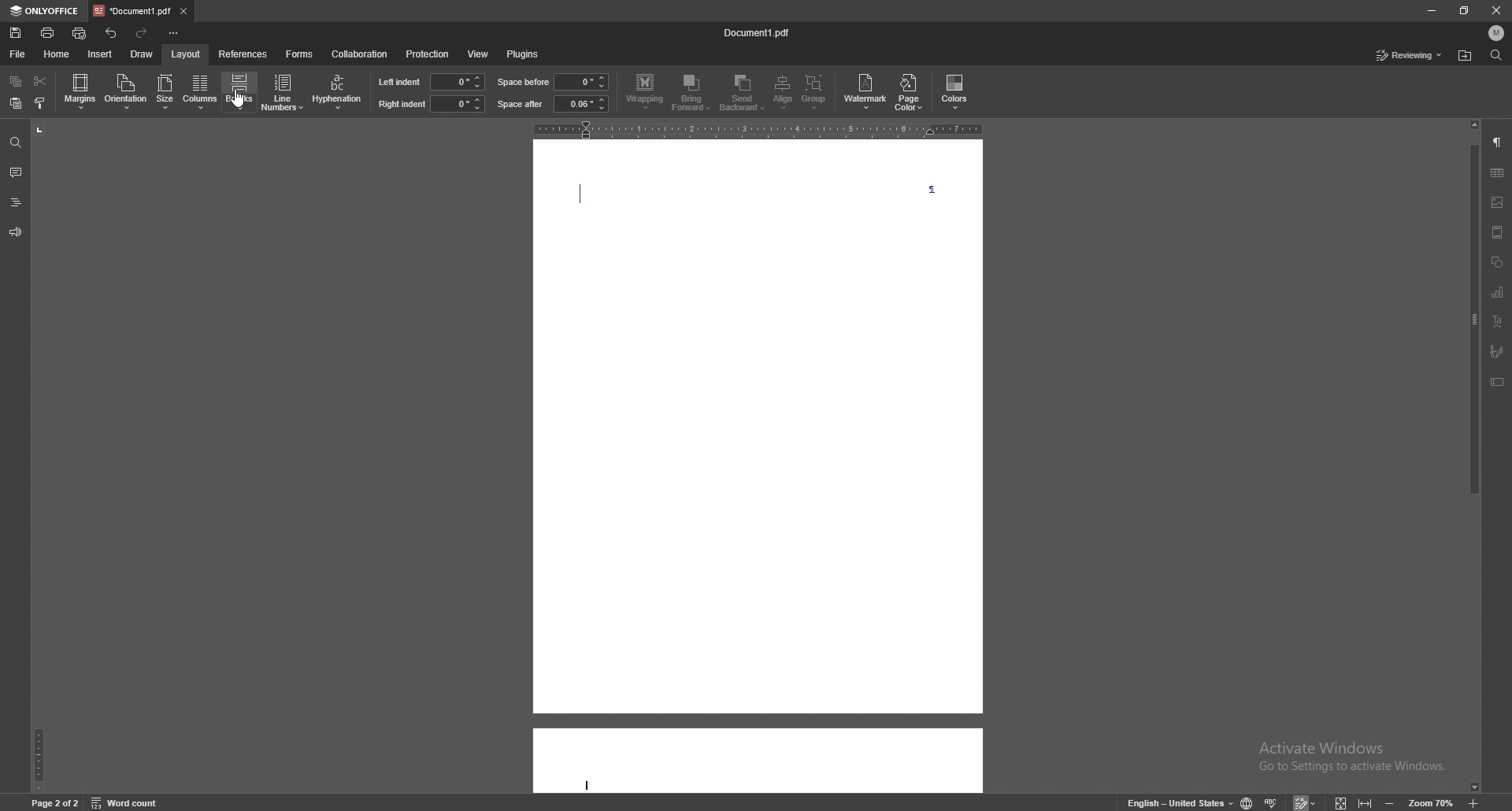 The image size is (1512, 811). What do you see at coordinates (521, 104) in the screenshot?
I see `space after` at bounding box center [521, 104].